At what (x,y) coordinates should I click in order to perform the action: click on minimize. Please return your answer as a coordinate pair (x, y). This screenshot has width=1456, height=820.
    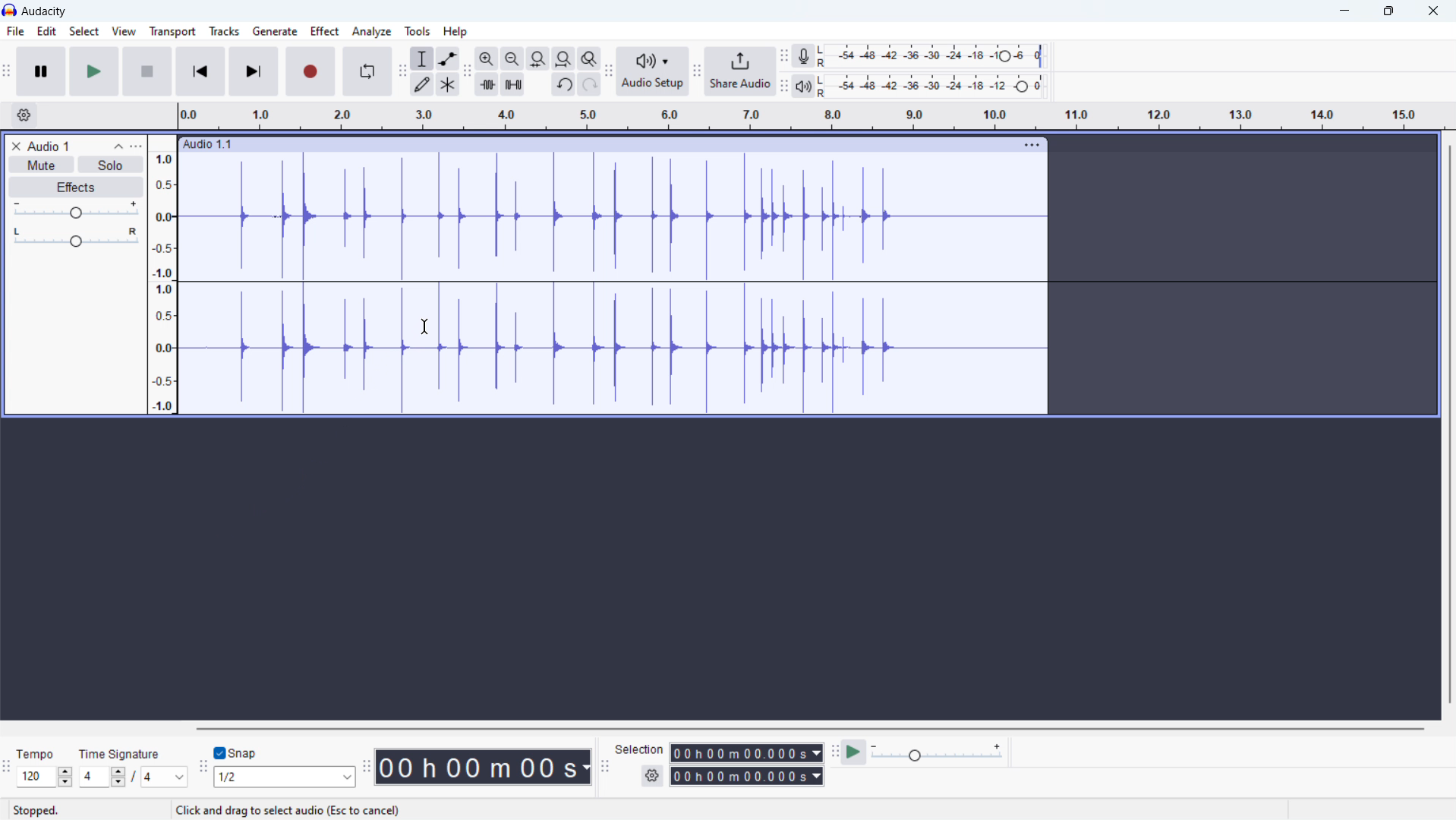
    Looking at the image, I should click on (1344, 11).